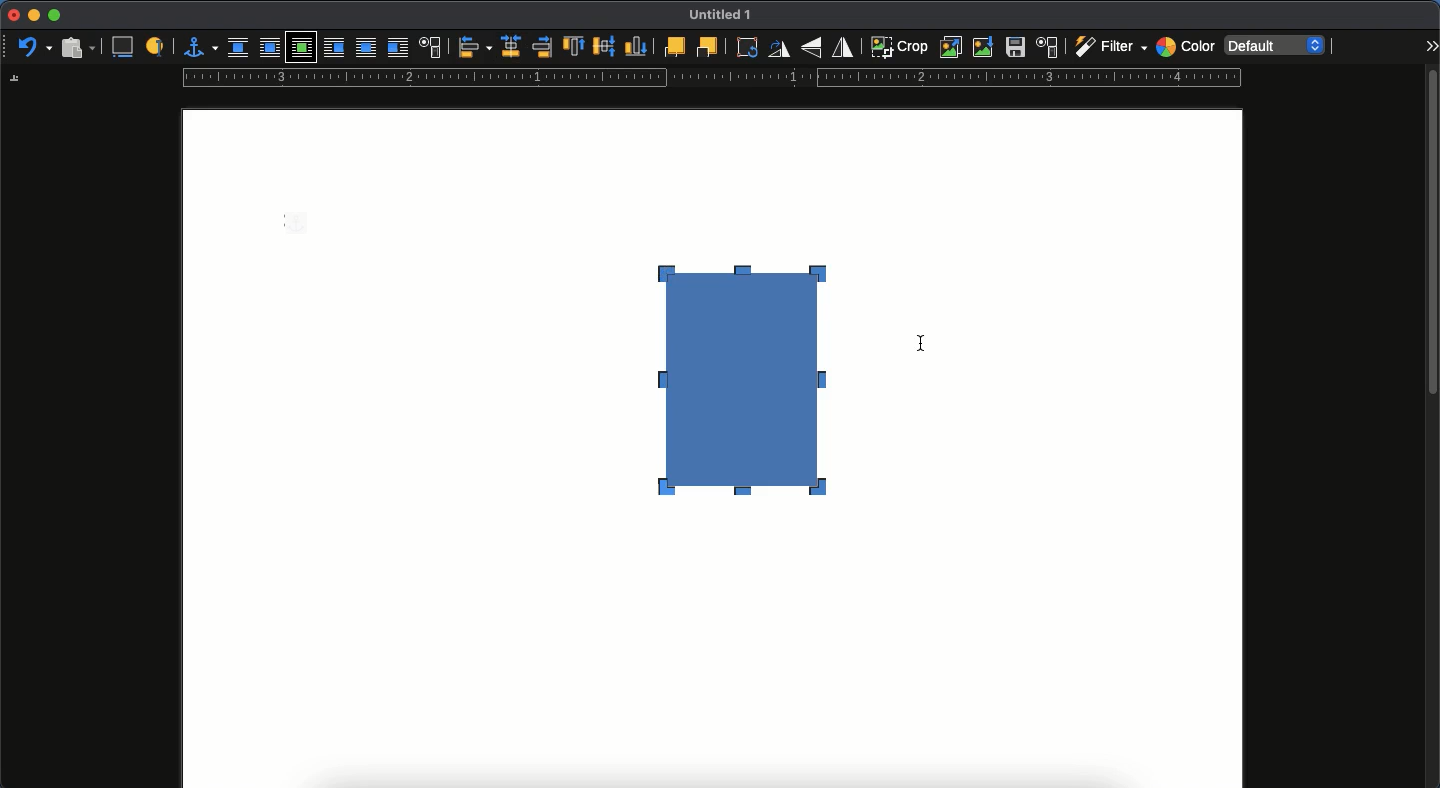 This screenshot has width=1440, height=788. Describe the element at coordinates (272, 50) in the screenshot. I see `parallel` at that location.